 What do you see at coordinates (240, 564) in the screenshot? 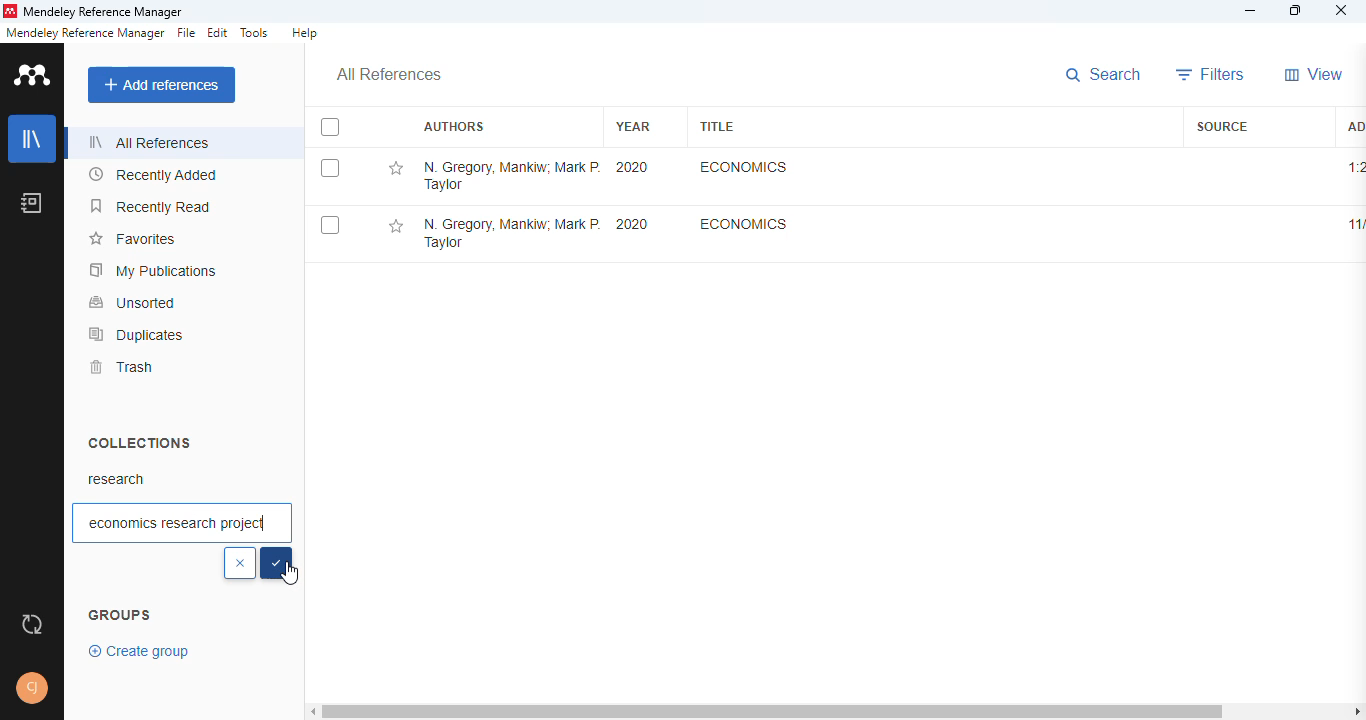
I see `cancel` at bounding box center [240, 564].